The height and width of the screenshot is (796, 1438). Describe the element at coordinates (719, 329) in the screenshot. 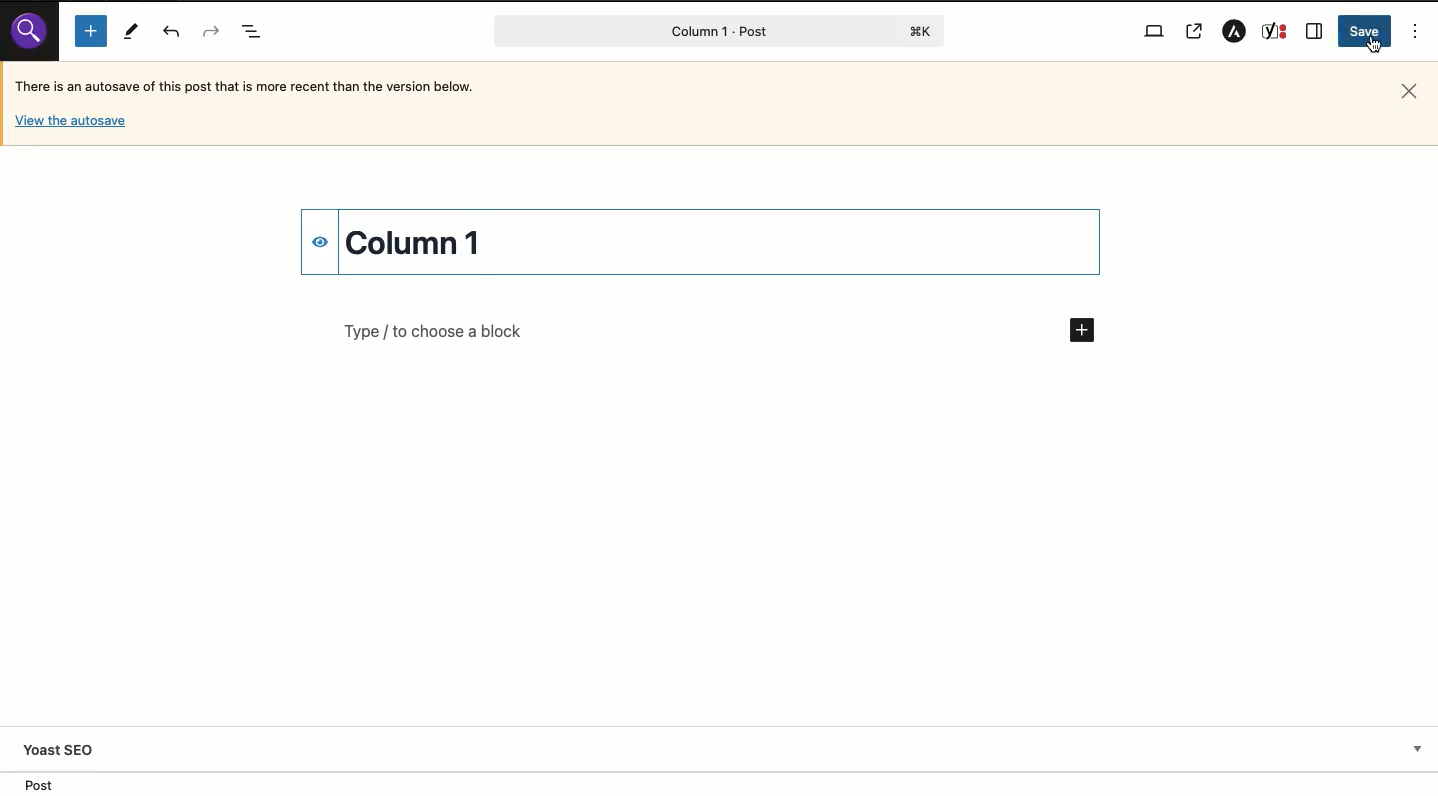

I see `Add new block` at that location.